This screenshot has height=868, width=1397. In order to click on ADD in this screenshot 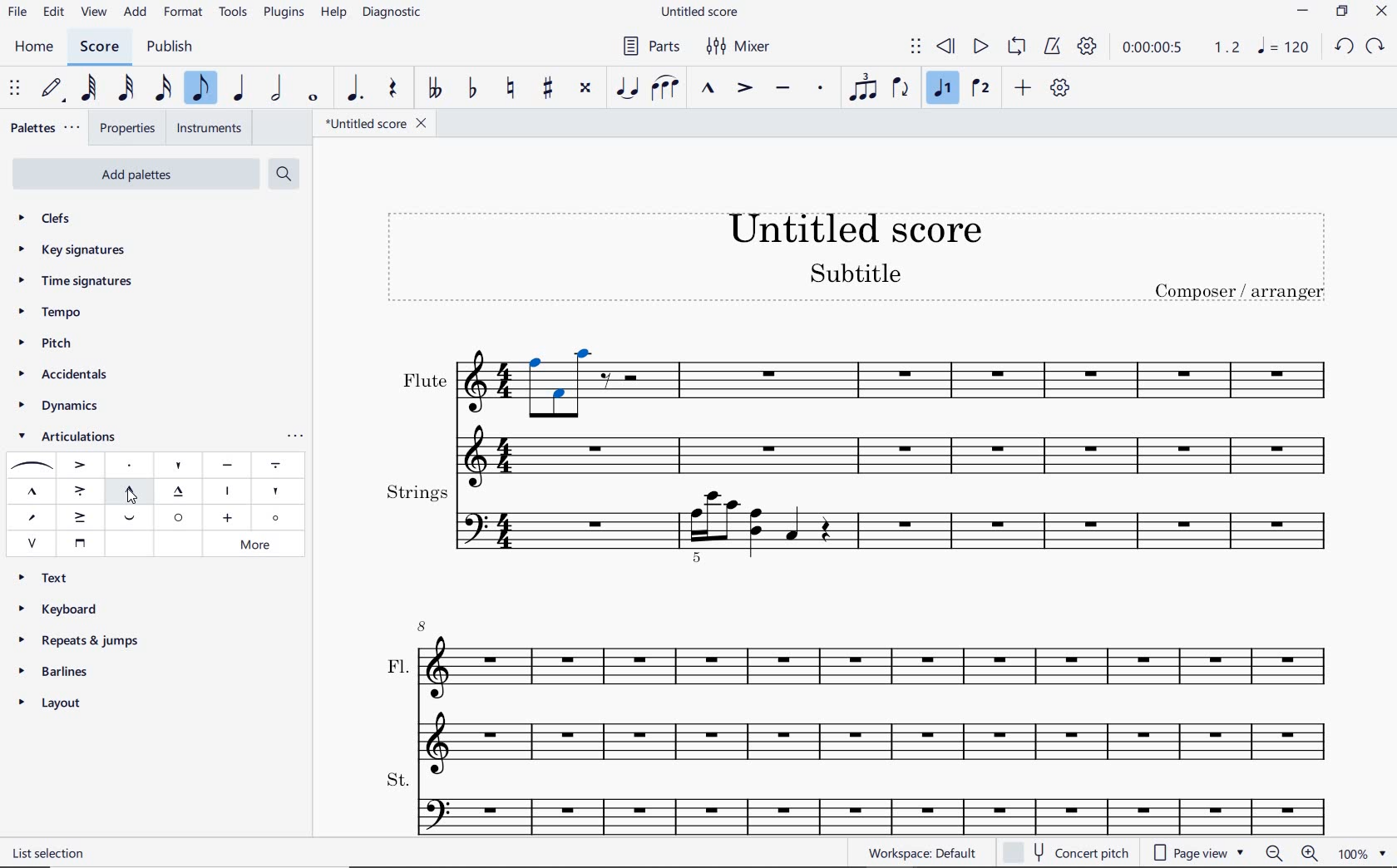, I will do `click(1024, 88)`.